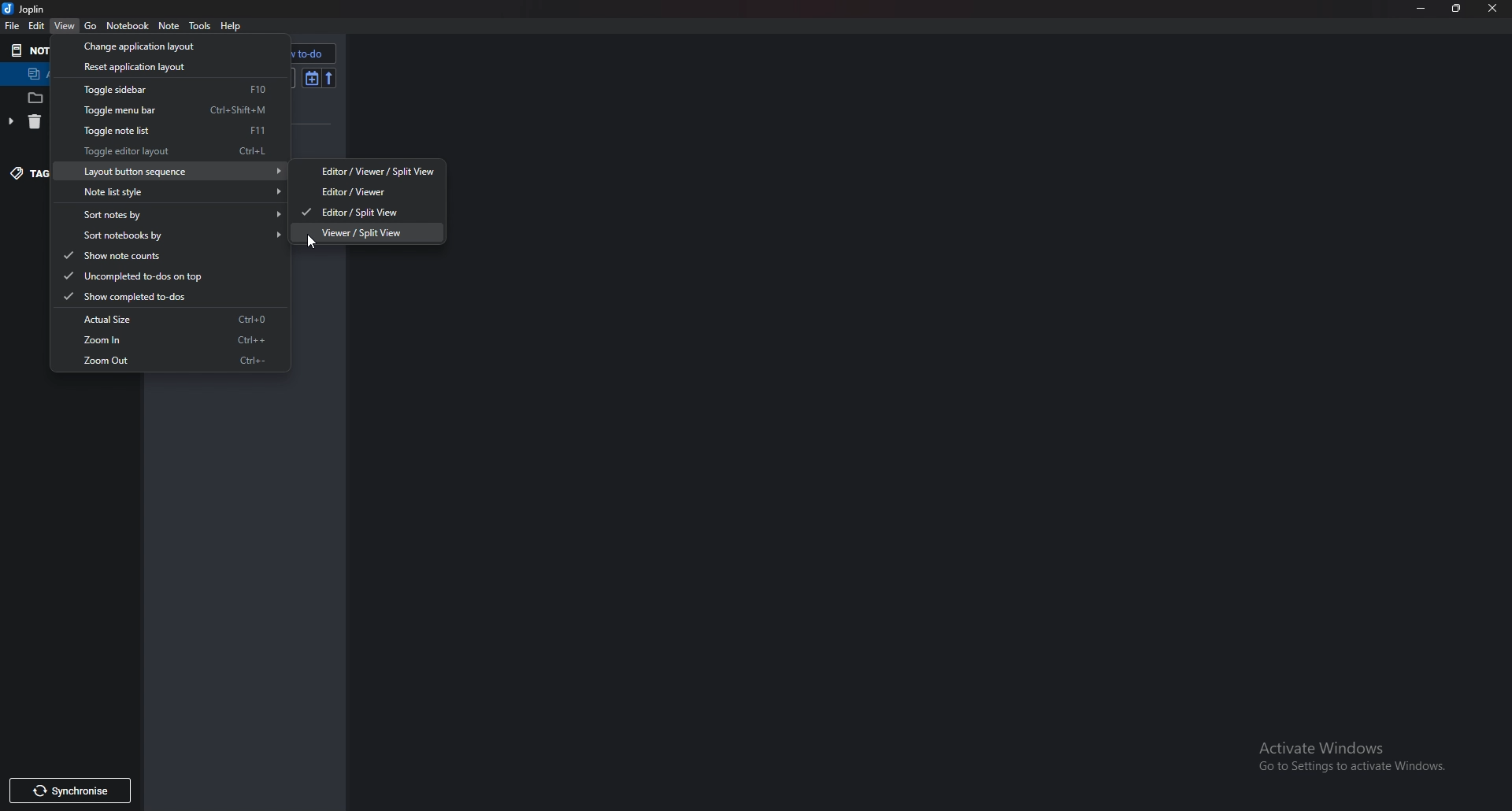 Image resolution: width=1512 pixels, height=811 pixels. I want to click on Sort notes by, so click(172, 213).